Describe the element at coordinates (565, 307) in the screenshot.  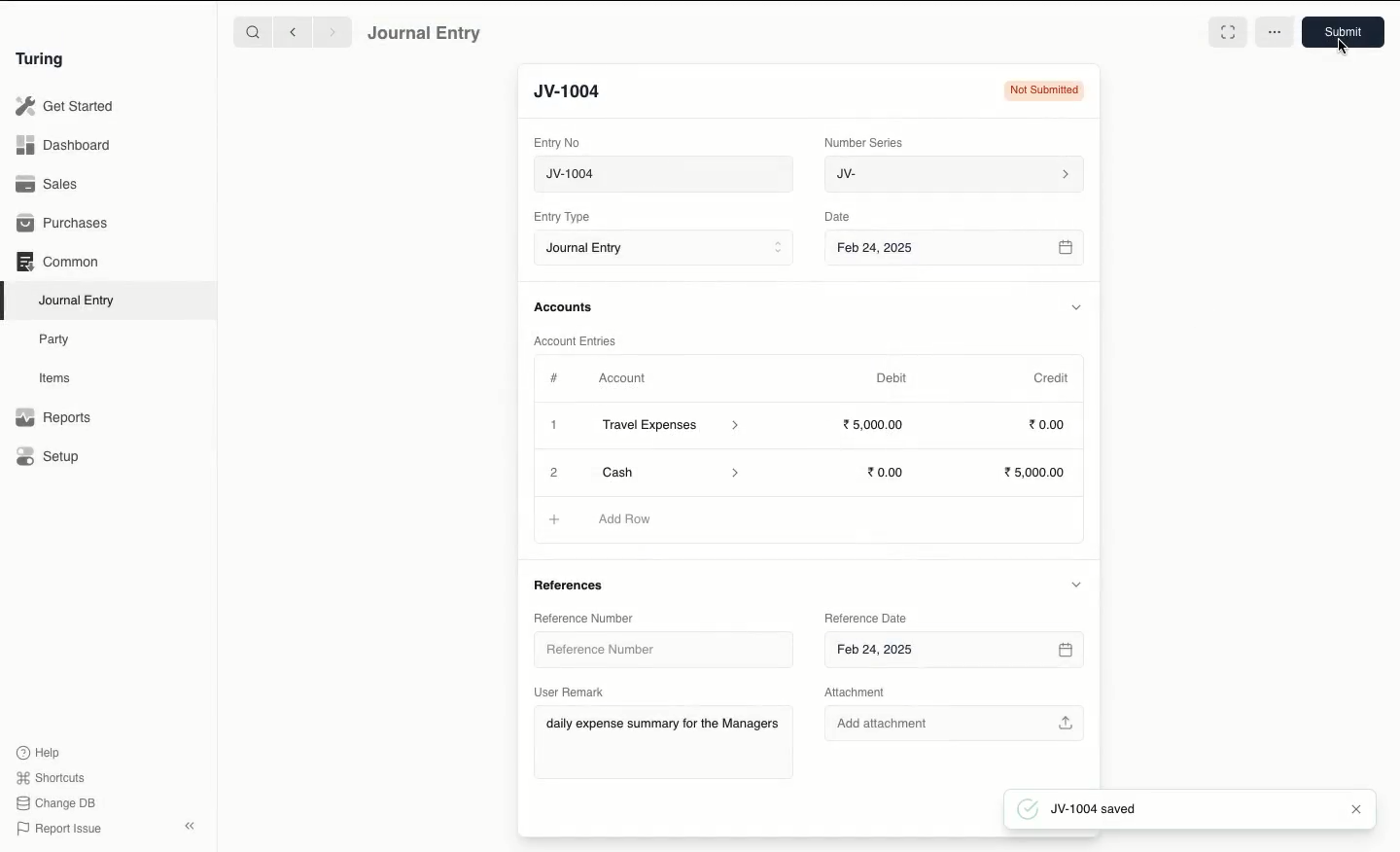
I see `Accounts` at that location.